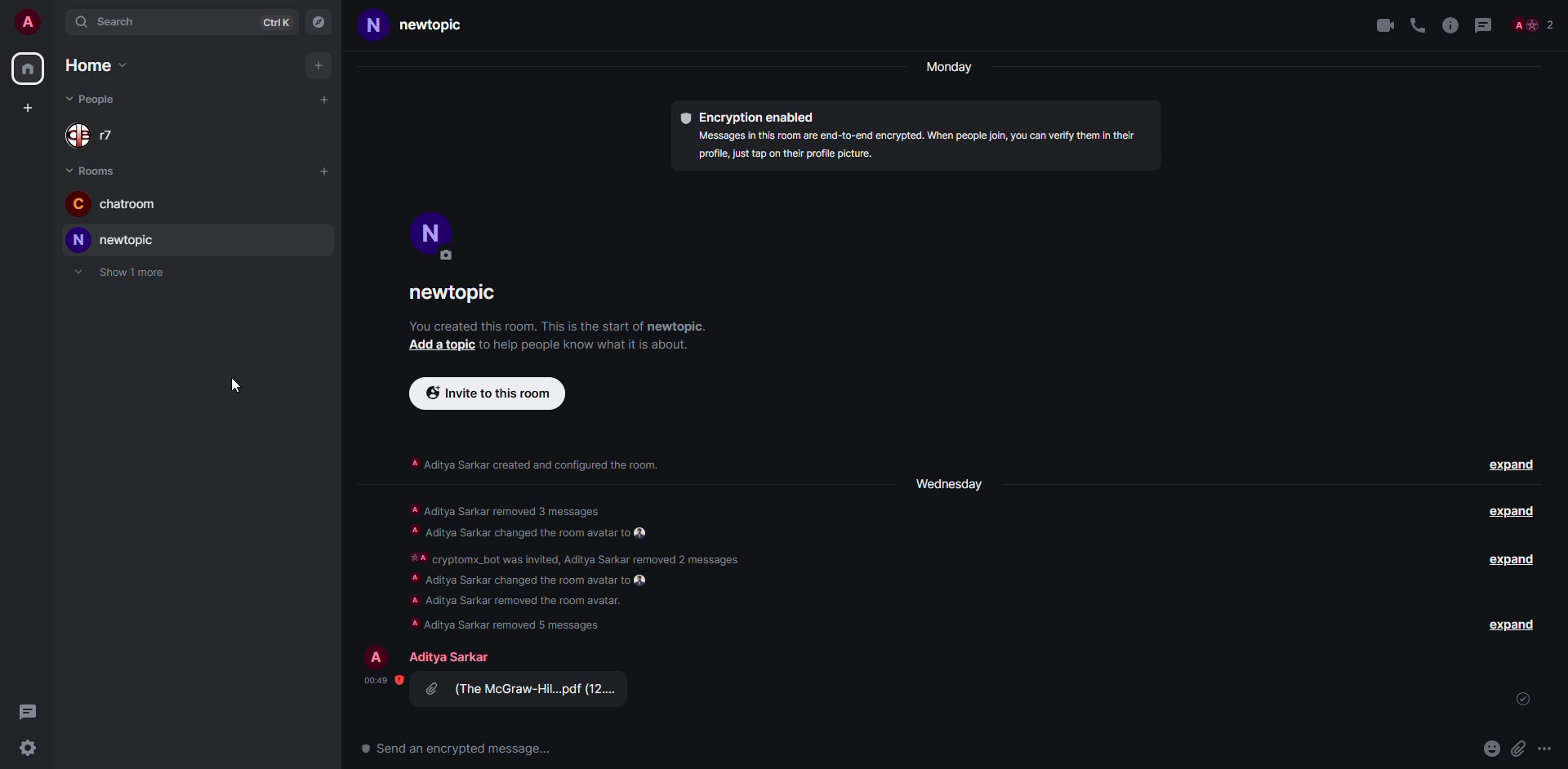  What do you see at coordinates (120, 204) in the screenshot?
I see `chatroom` at bounding box center [120, 204].